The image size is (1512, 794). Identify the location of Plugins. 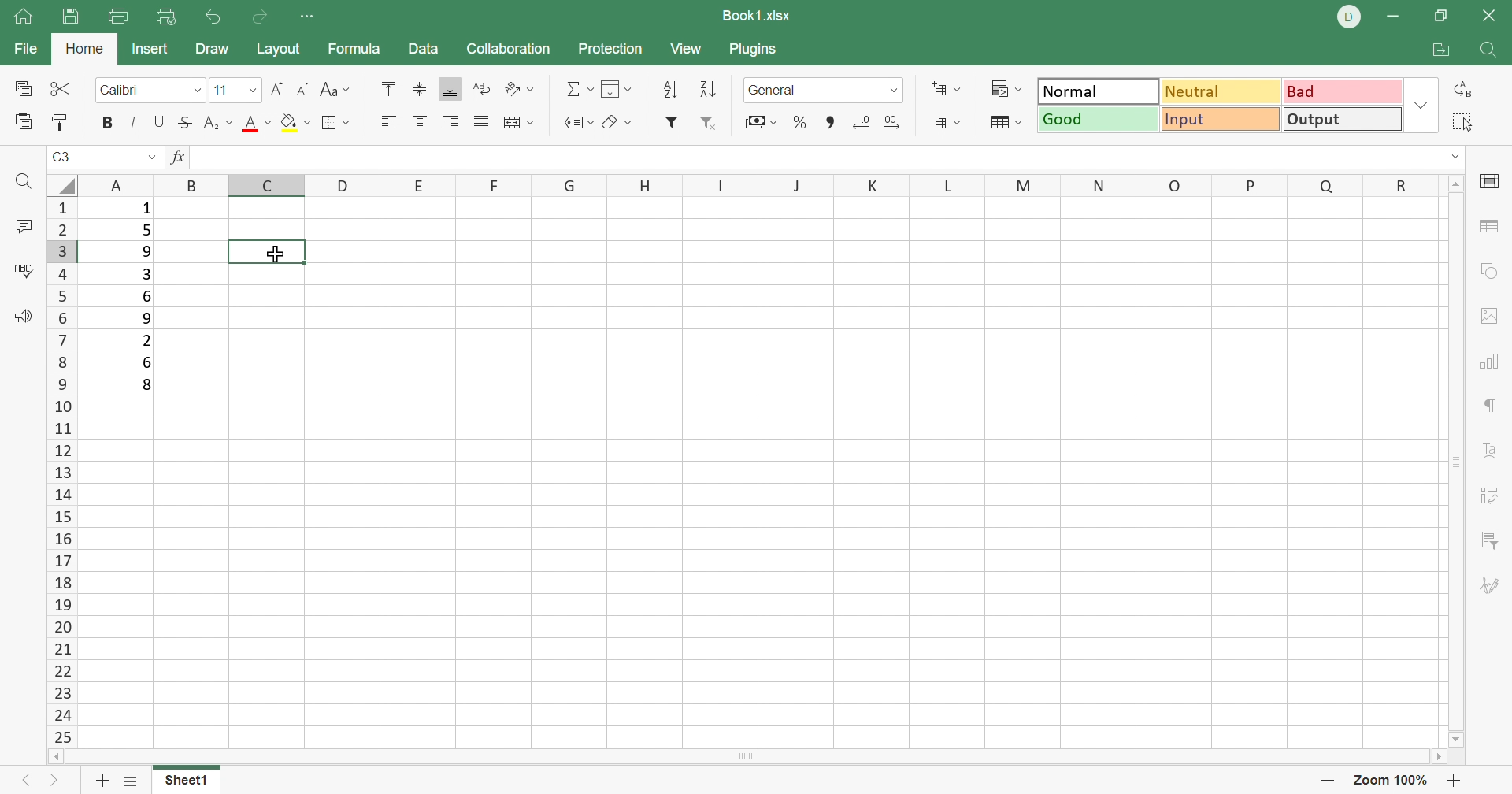
(753, 47).